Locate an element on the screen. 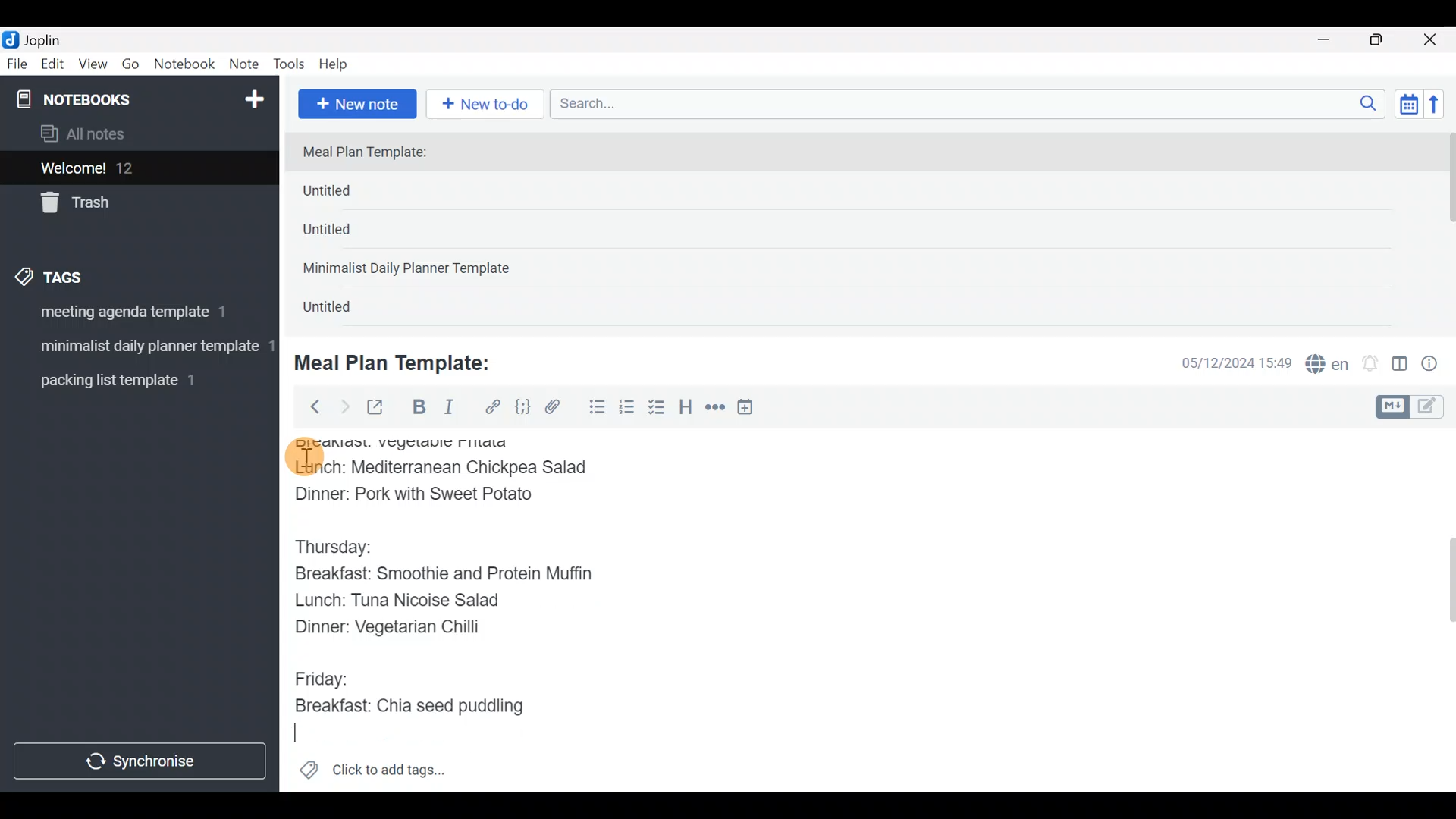  Lunch: Tuna Nicoise Salad is located at coordinates (414, 604).